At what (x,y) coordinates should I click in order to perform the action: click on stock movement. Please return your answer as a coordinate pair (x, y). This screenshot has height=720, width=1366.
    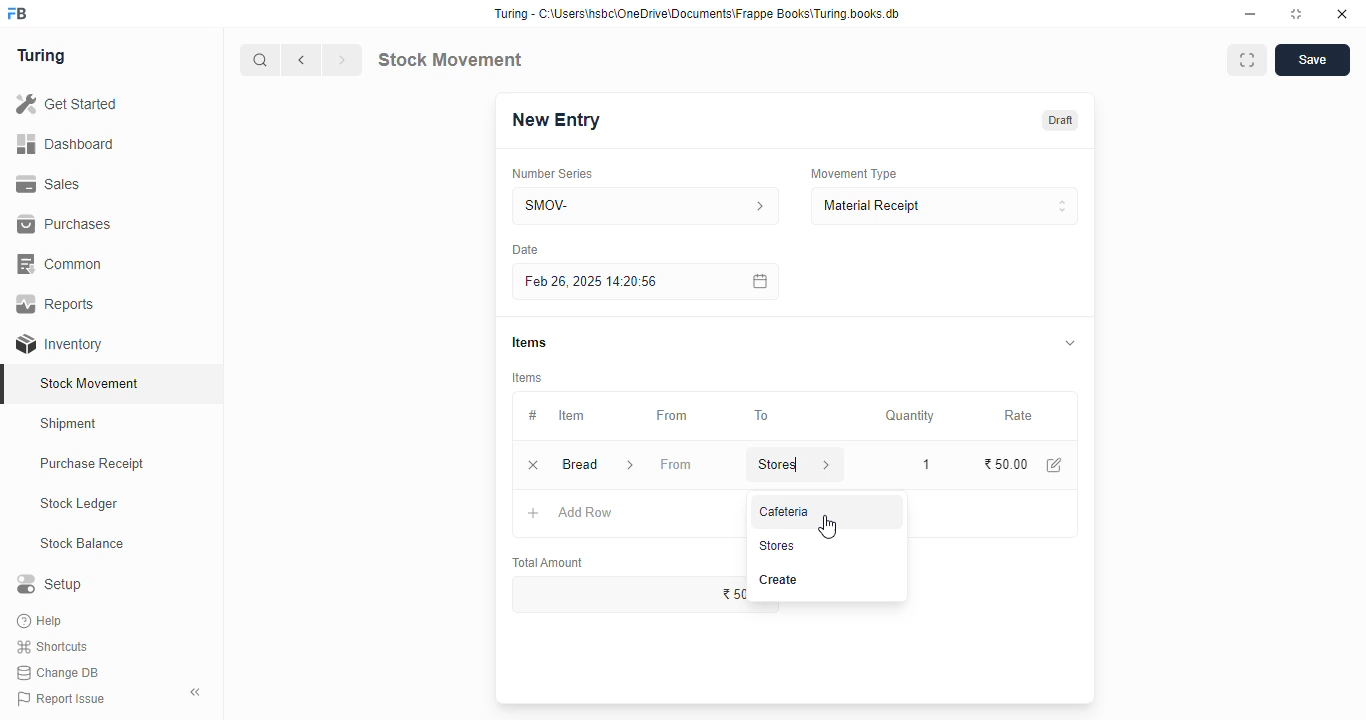
    Looking at the image, I should click on (449, 59).